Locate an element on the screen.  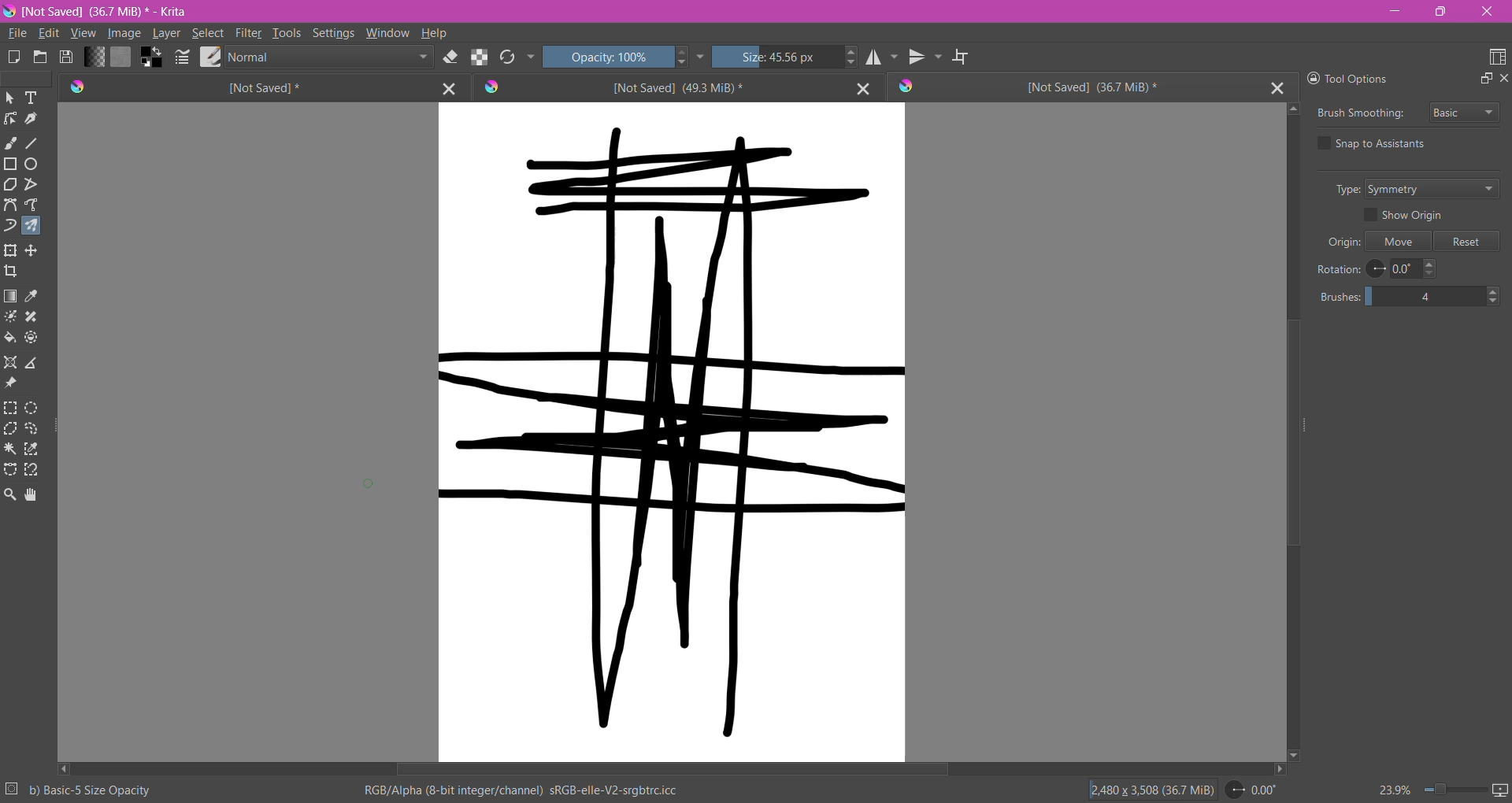
Filter is located at coordinates (248, 33).